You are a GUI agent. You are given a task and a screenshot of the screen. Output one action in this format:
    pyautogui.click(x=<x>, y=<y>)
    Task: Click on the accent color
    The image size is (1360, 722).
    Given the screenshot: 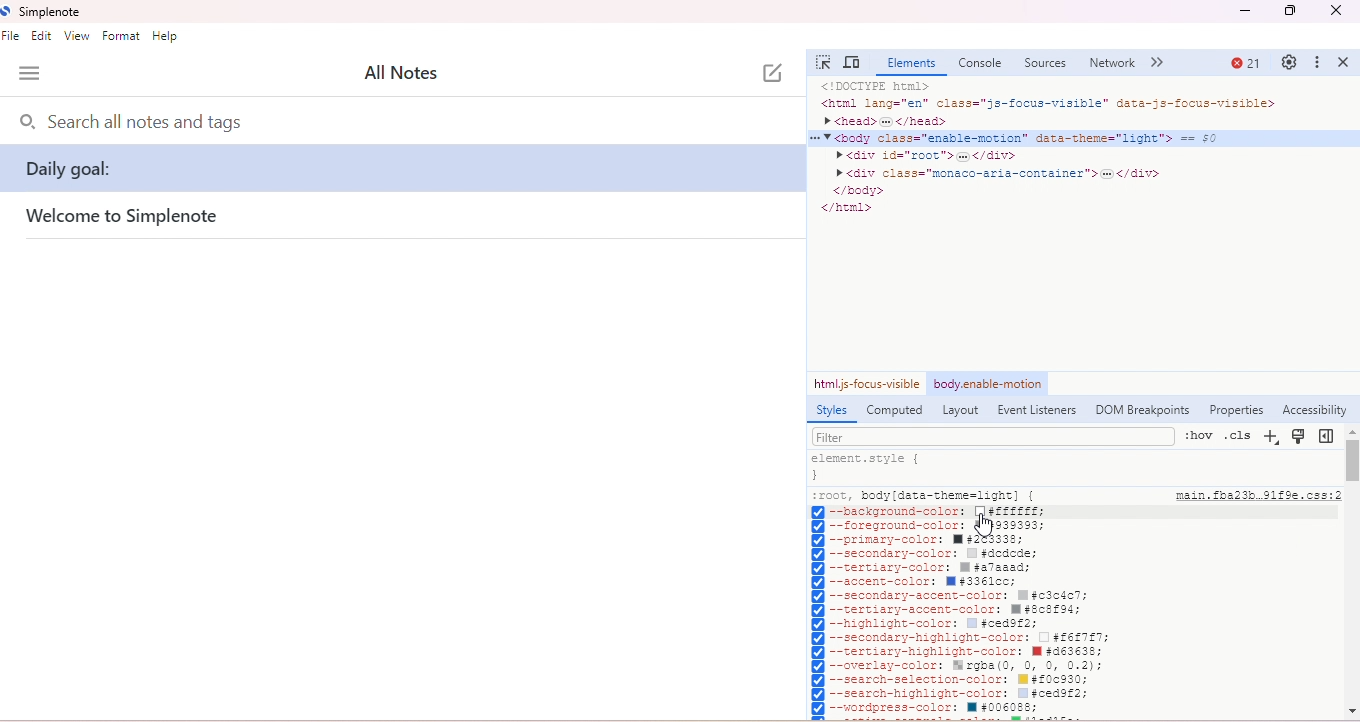 What is the action you would take?
    pyautogui.click(x=920, y=583)
    